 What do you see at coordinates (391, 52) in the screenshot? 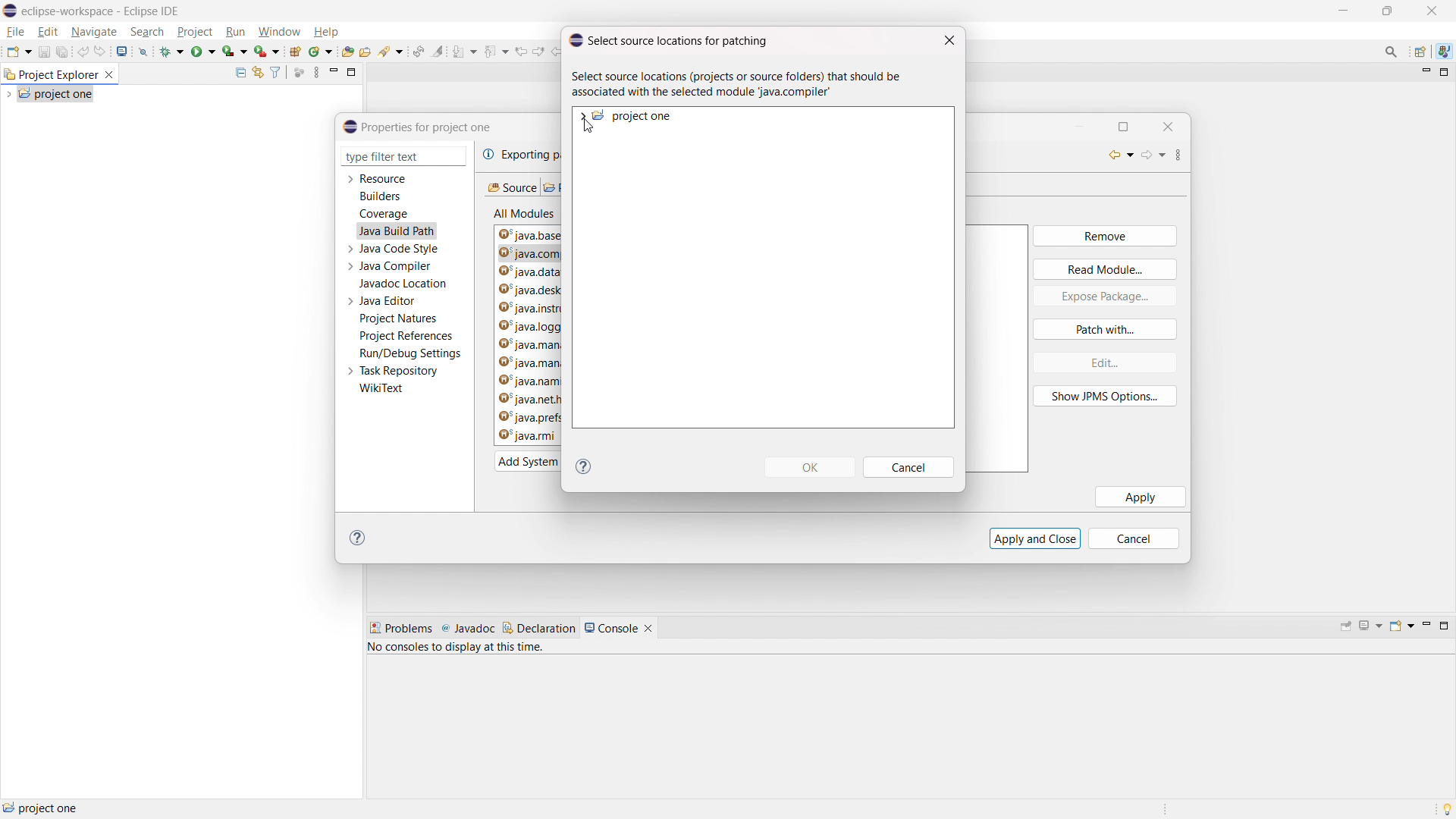
I see `search` at bounding box center [391, 52].